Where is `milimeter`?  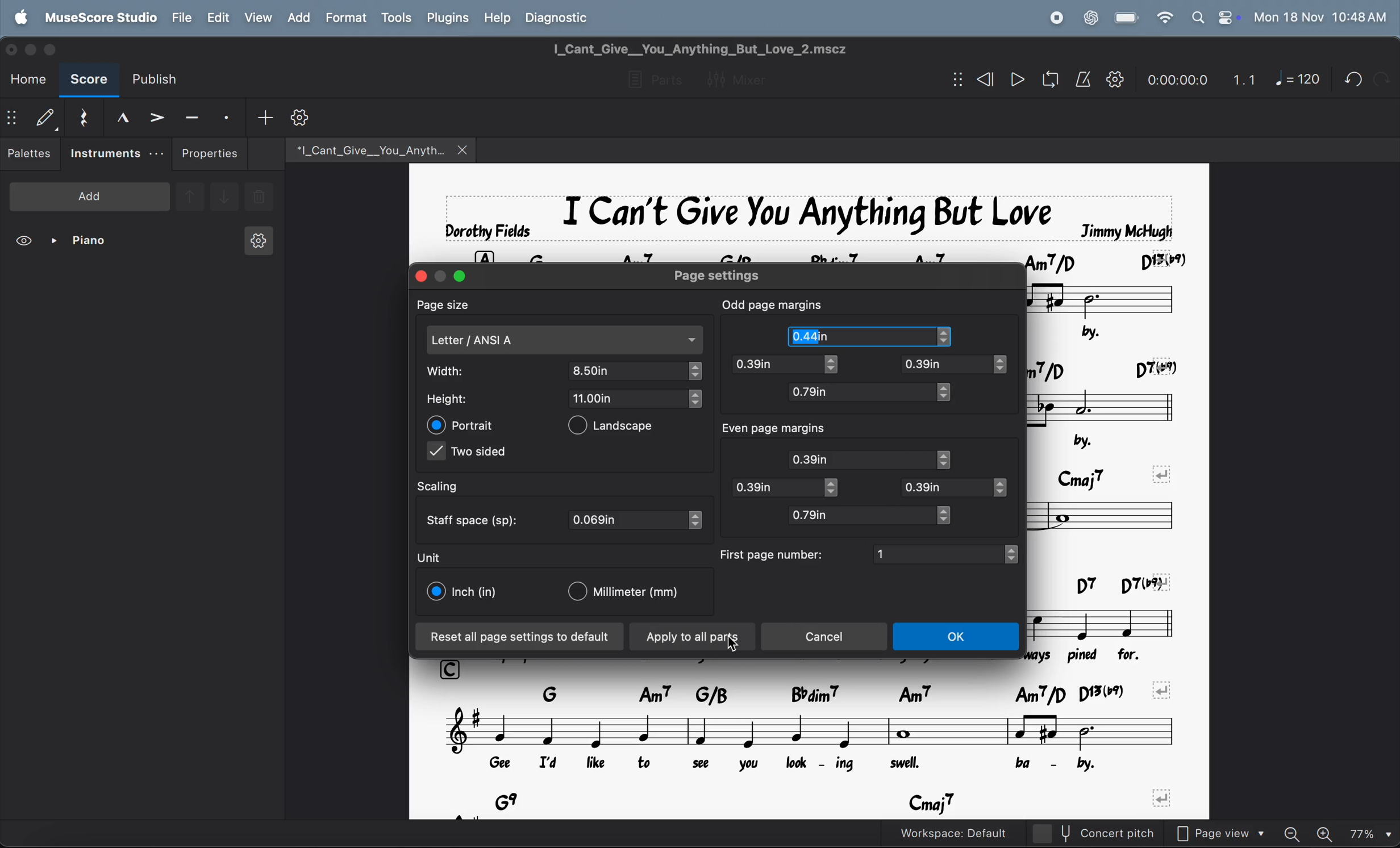
milimeter is located at coordinates (630, 593).